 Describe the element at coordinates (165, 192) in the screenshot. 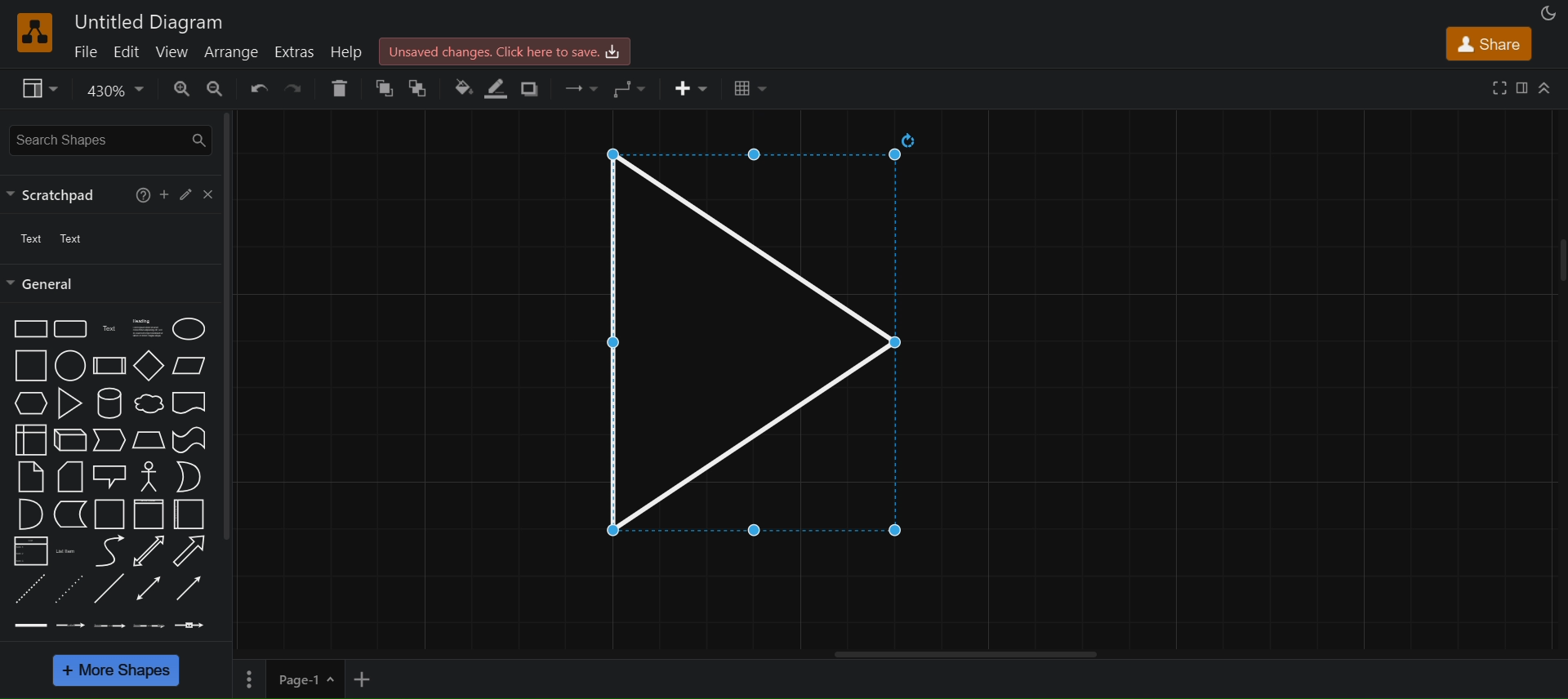

I see `add` at that location.